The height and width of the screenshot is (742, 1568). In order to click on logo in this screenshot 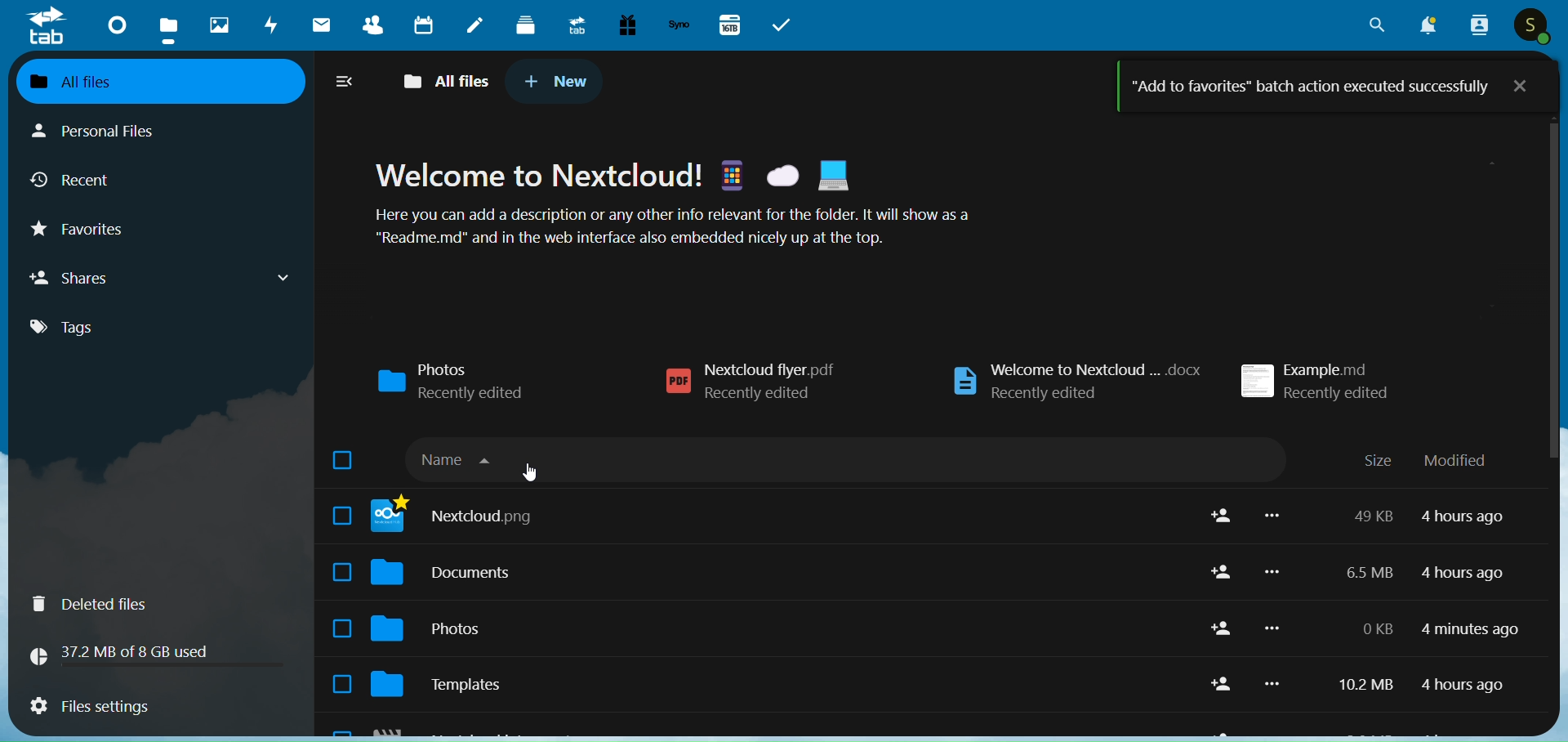, I will do `click(47, 28)`.